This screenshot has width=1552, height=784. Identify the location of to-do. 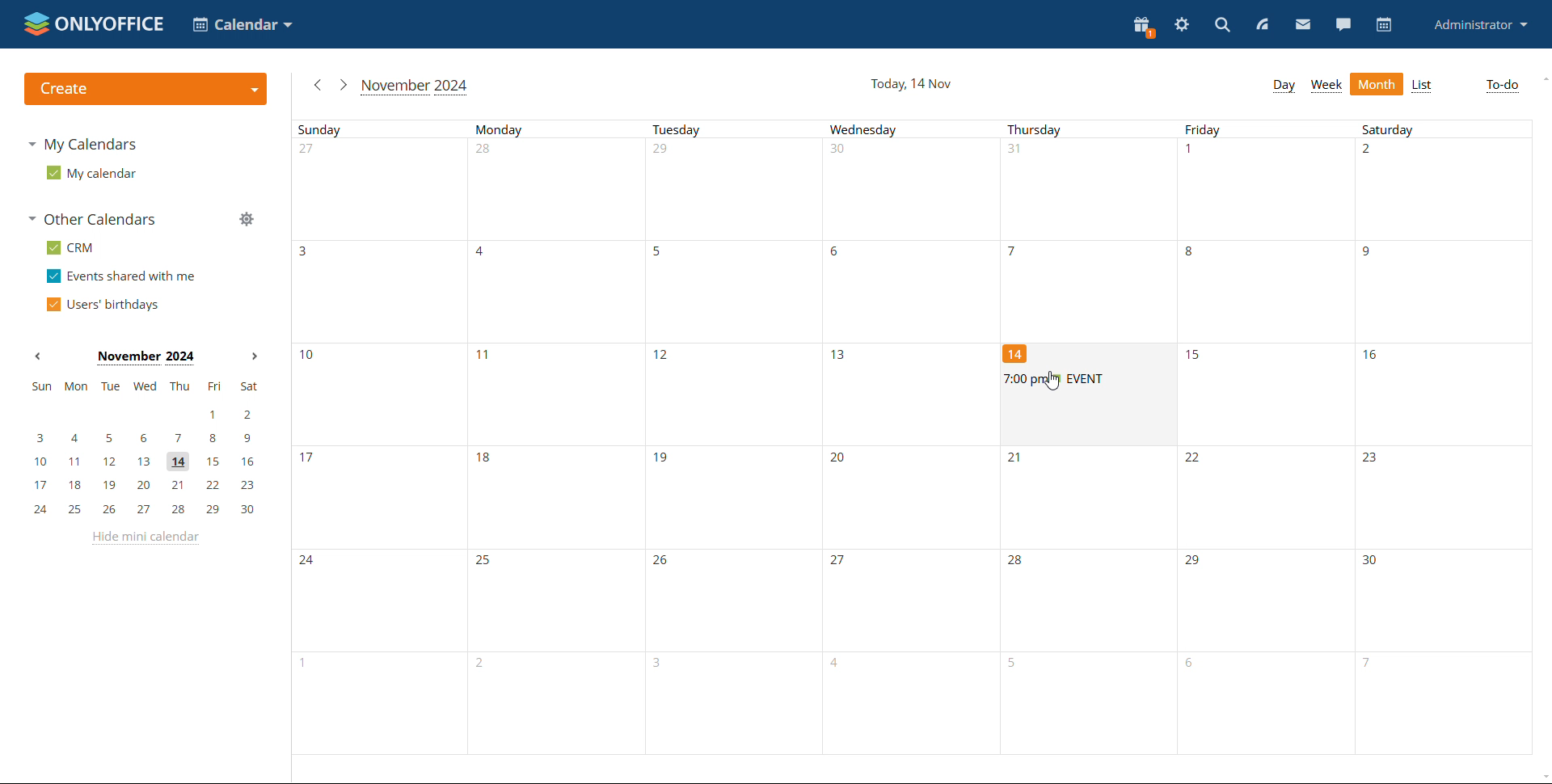
(1502, 86).